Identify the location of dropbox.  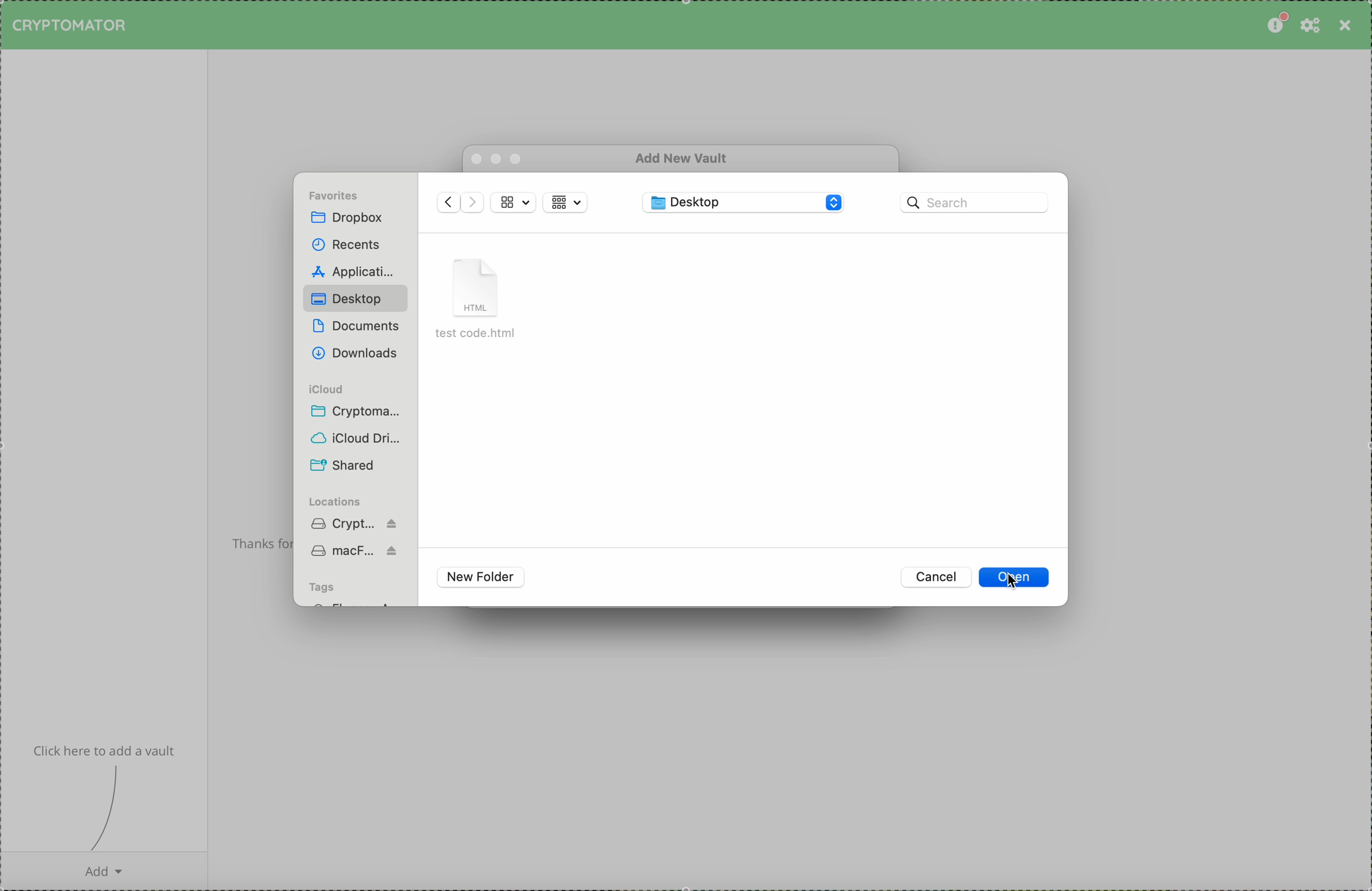
(345, 219).